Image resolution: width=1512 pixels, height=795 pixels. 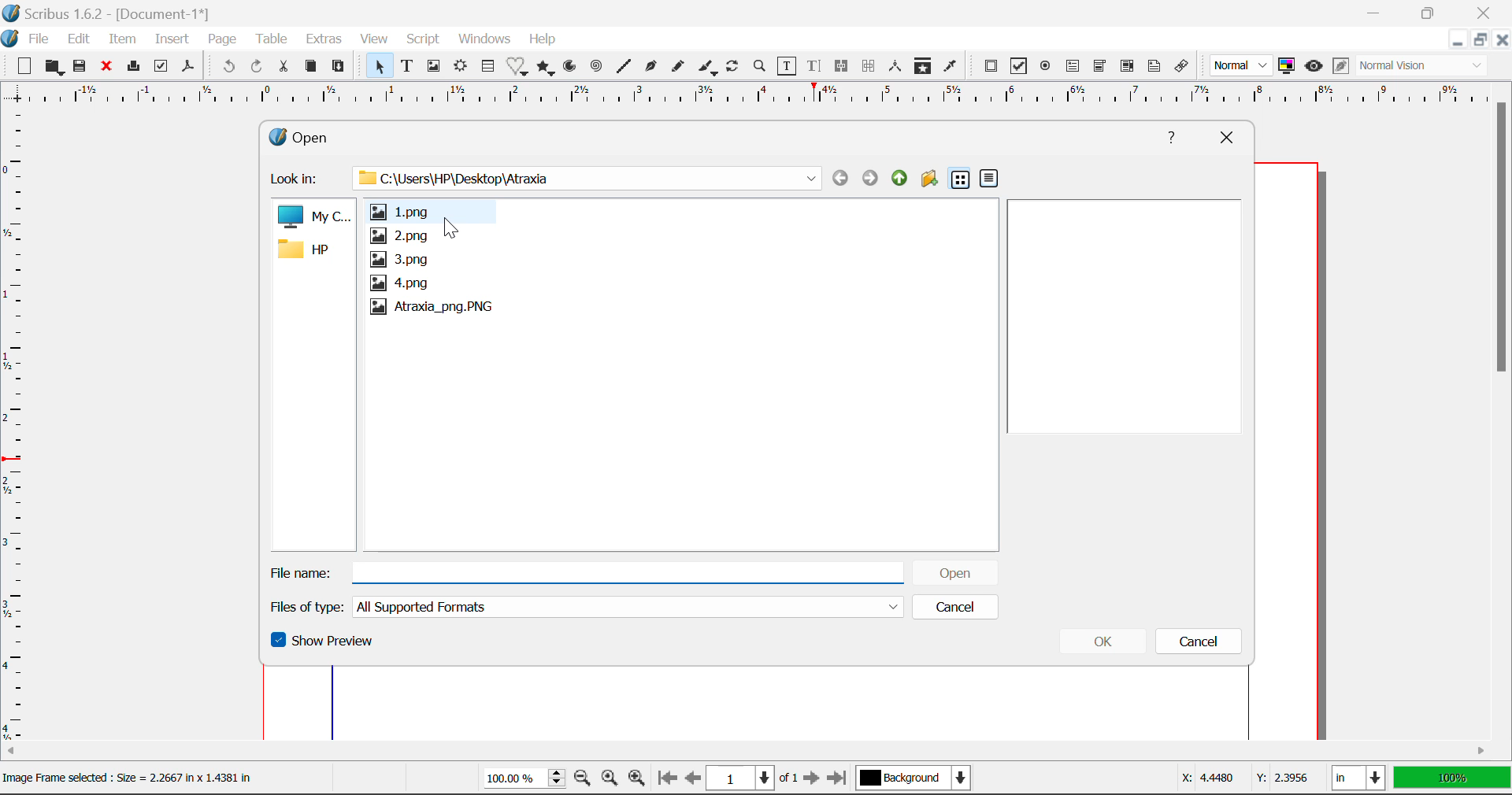 What do you see at coordinates (954, 571) in the screenshot?
I see `Open` at bounding box center [954, 571].